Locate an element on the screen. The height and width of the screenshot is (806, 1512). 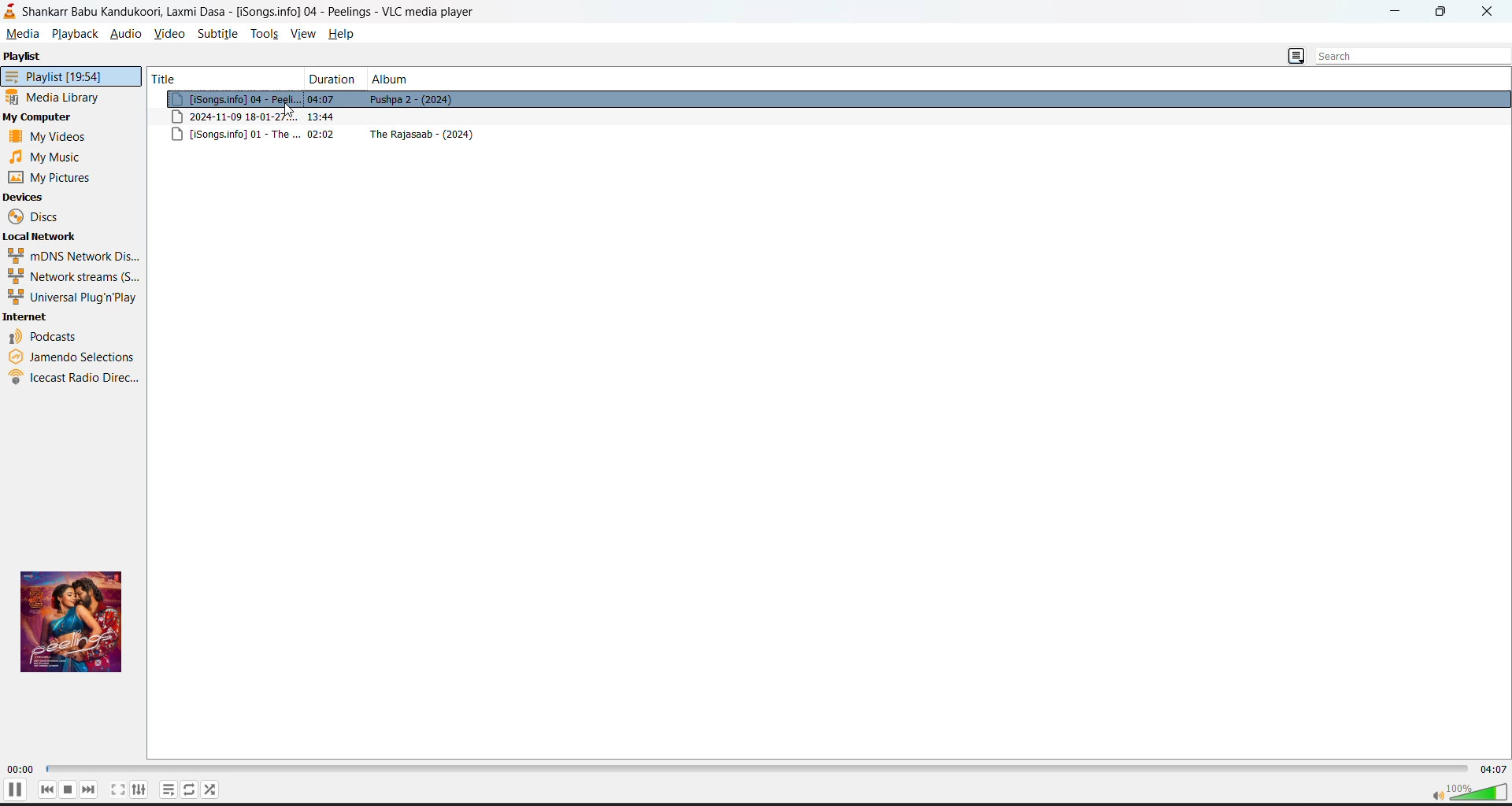
audio is located at coordinates (125, 34).